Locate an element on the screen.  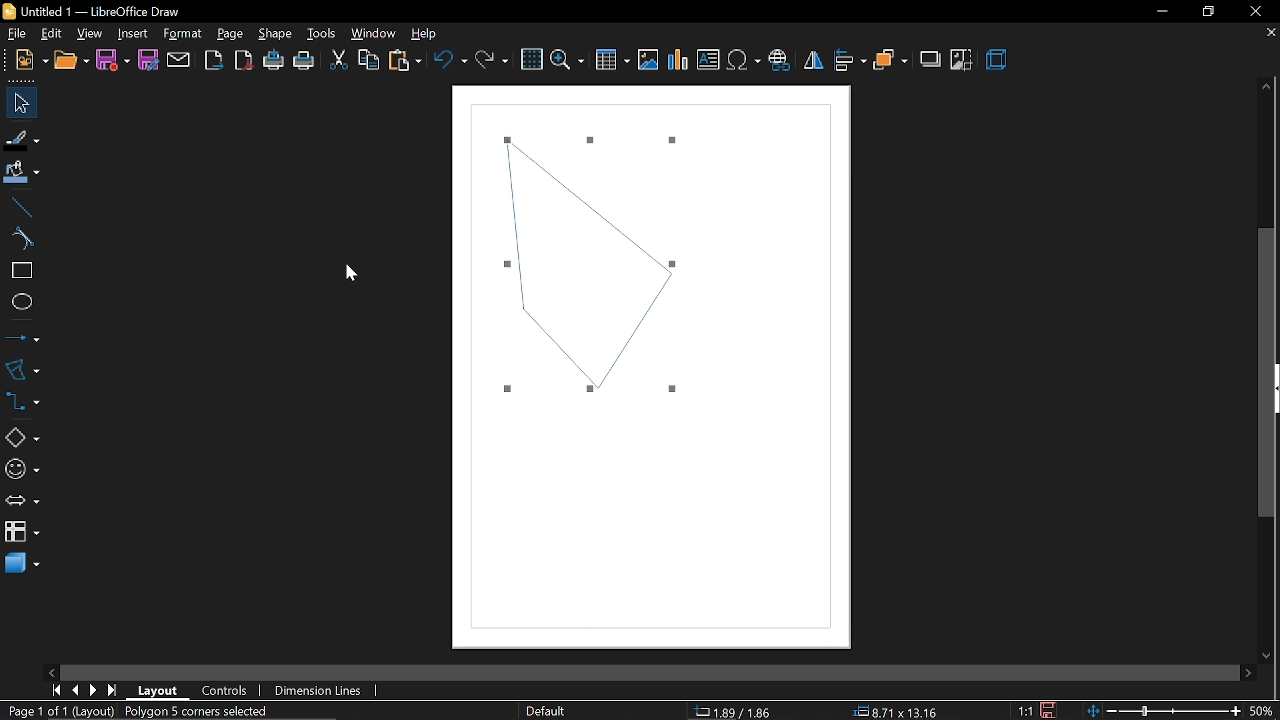
tools is located at coordinates (321, 34).